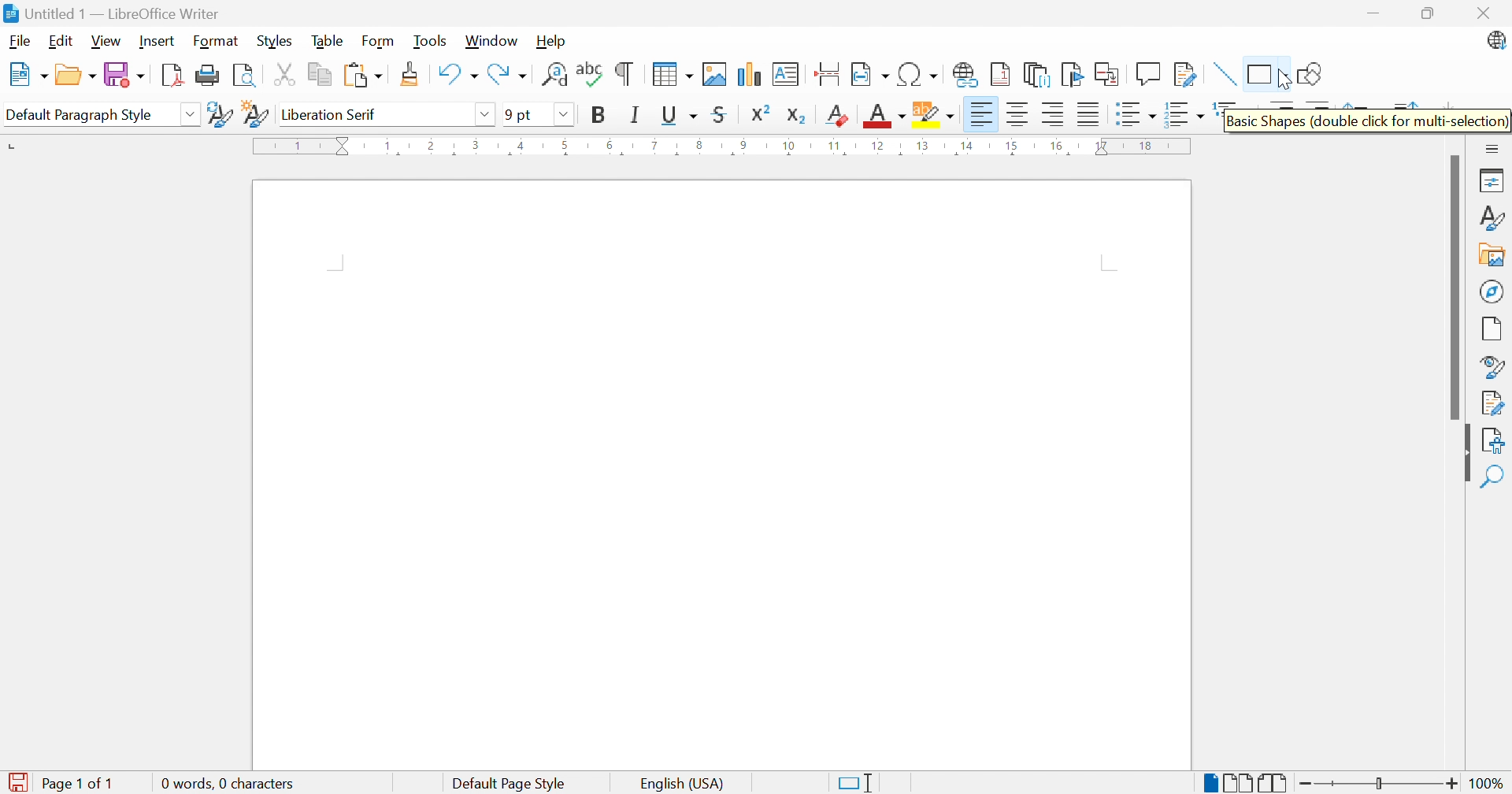 Image resolution: width=1512 pixels, height=794 pixels. I want to click on Styles, so click(273, 42).